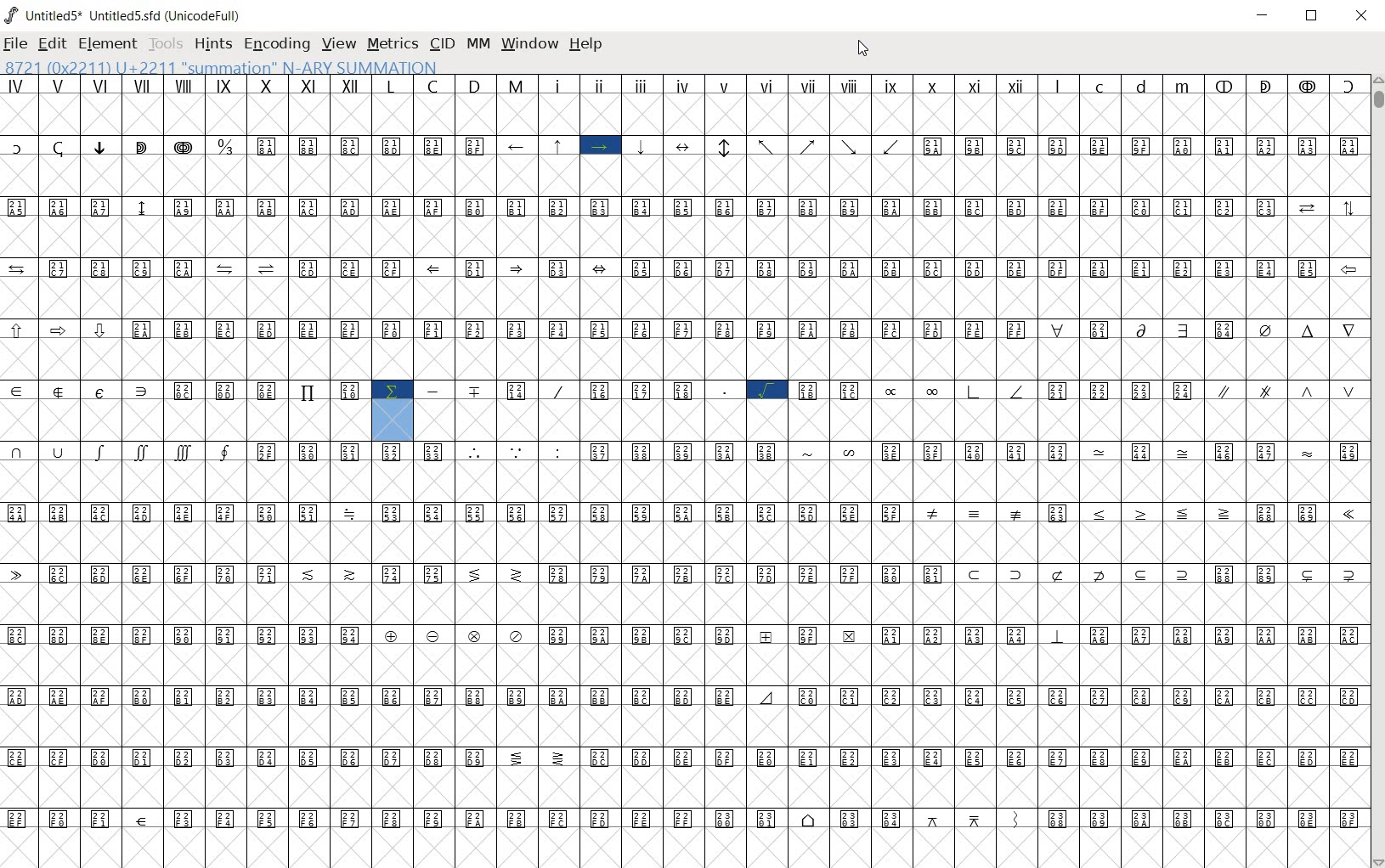  Describe the element at coordinates (339, 45) in the screenshot. I see `VIEW` at that location.